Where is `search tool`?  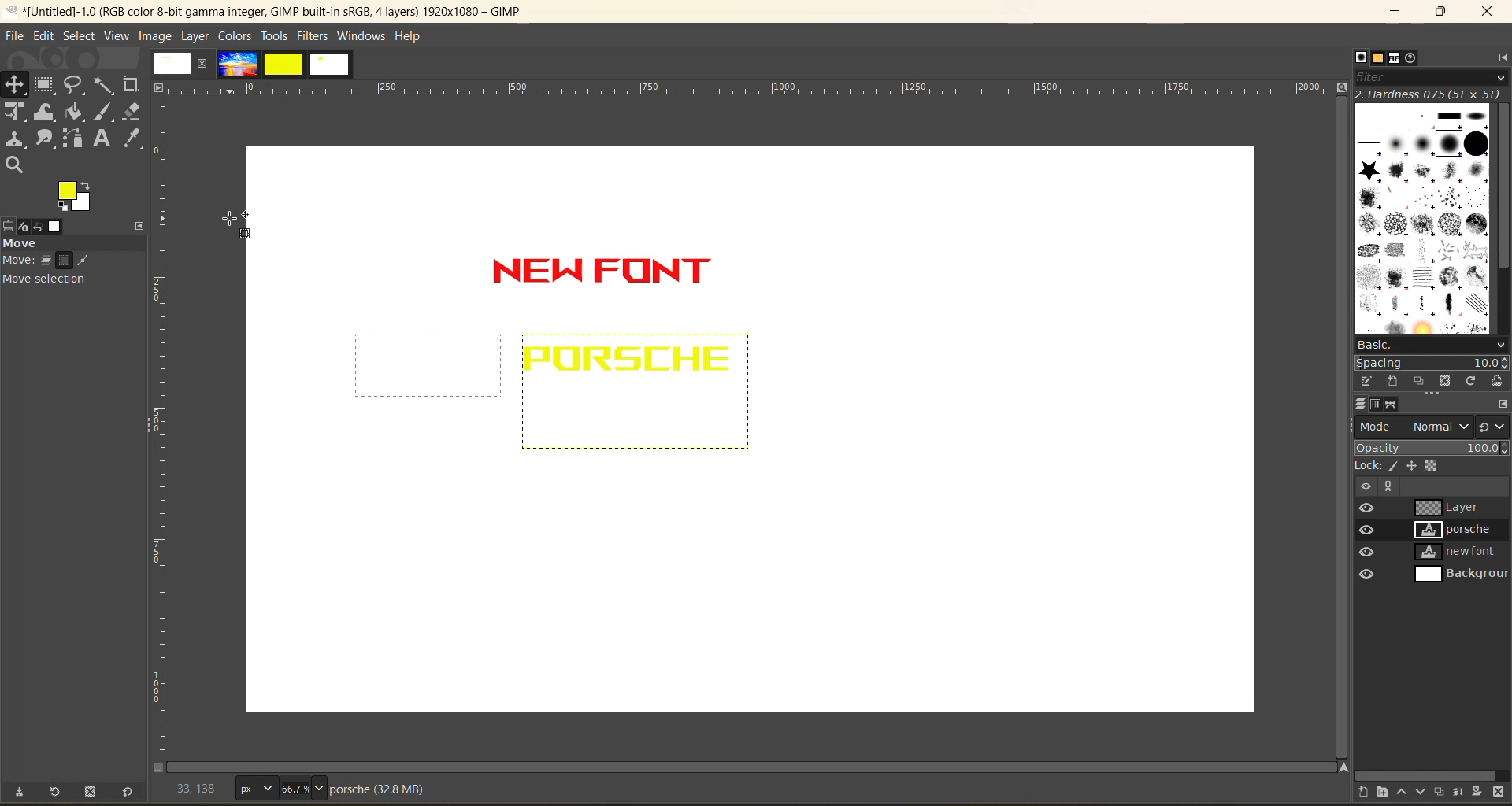
search tool is located at coordinates (18, 166).